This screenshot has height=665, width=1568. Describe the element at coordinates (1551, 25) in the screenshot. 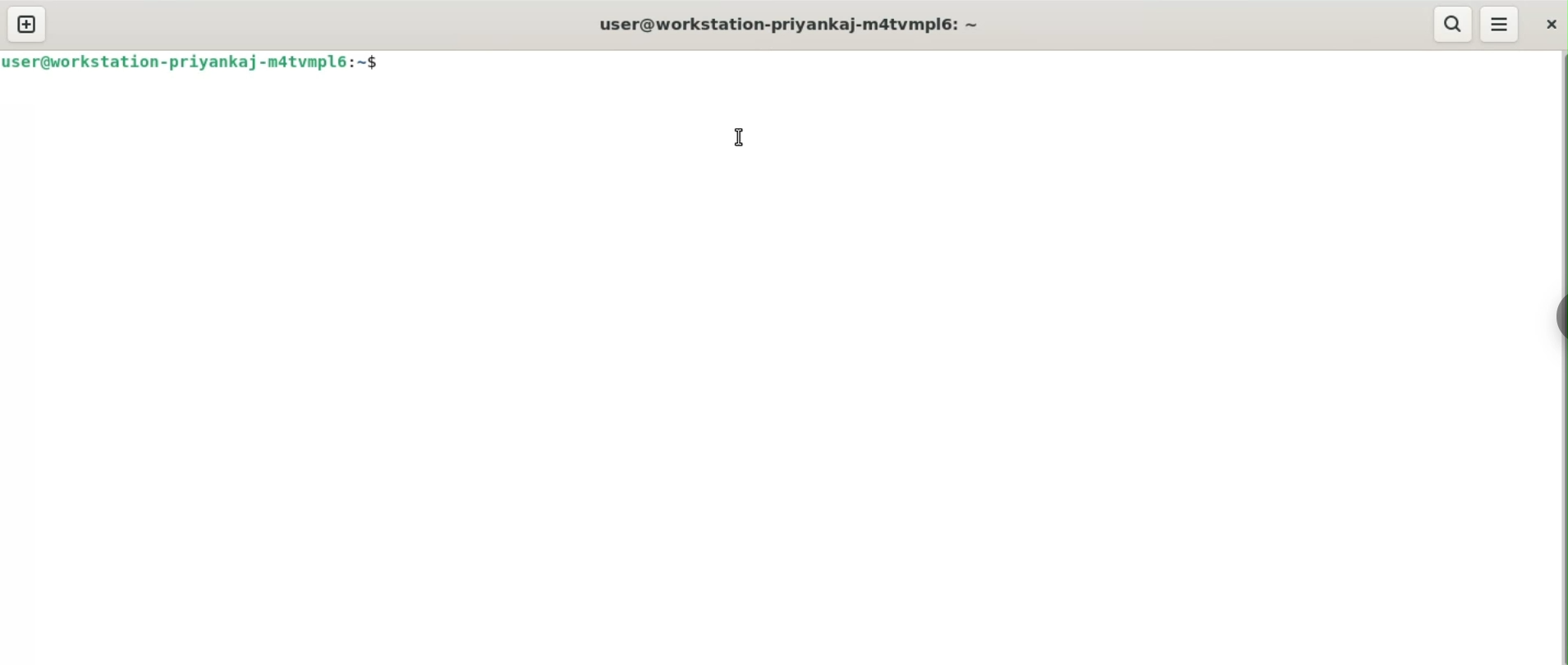

I see `close` at that location.